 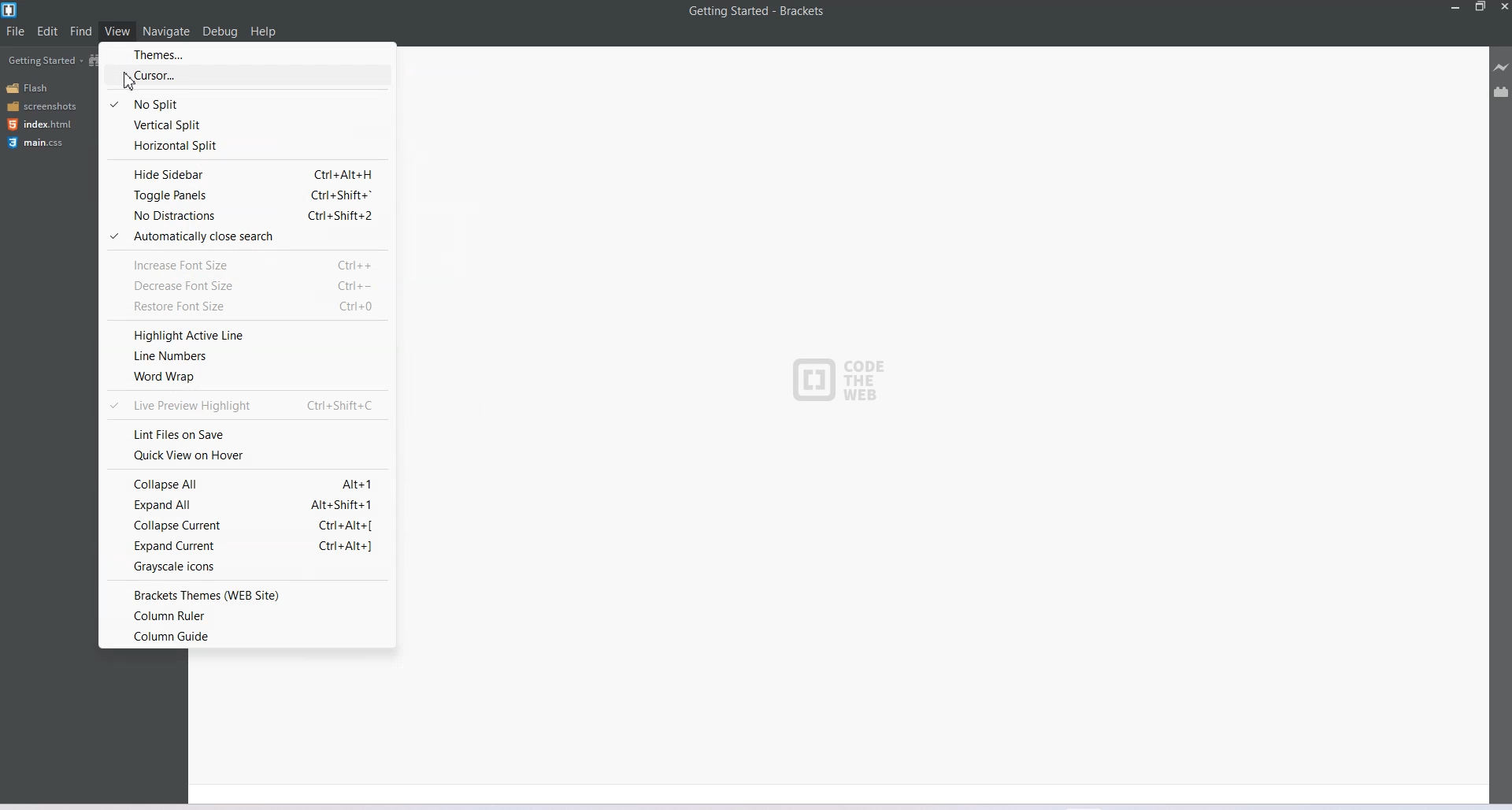 I want to click on Debug, so click(x=220, y=32).